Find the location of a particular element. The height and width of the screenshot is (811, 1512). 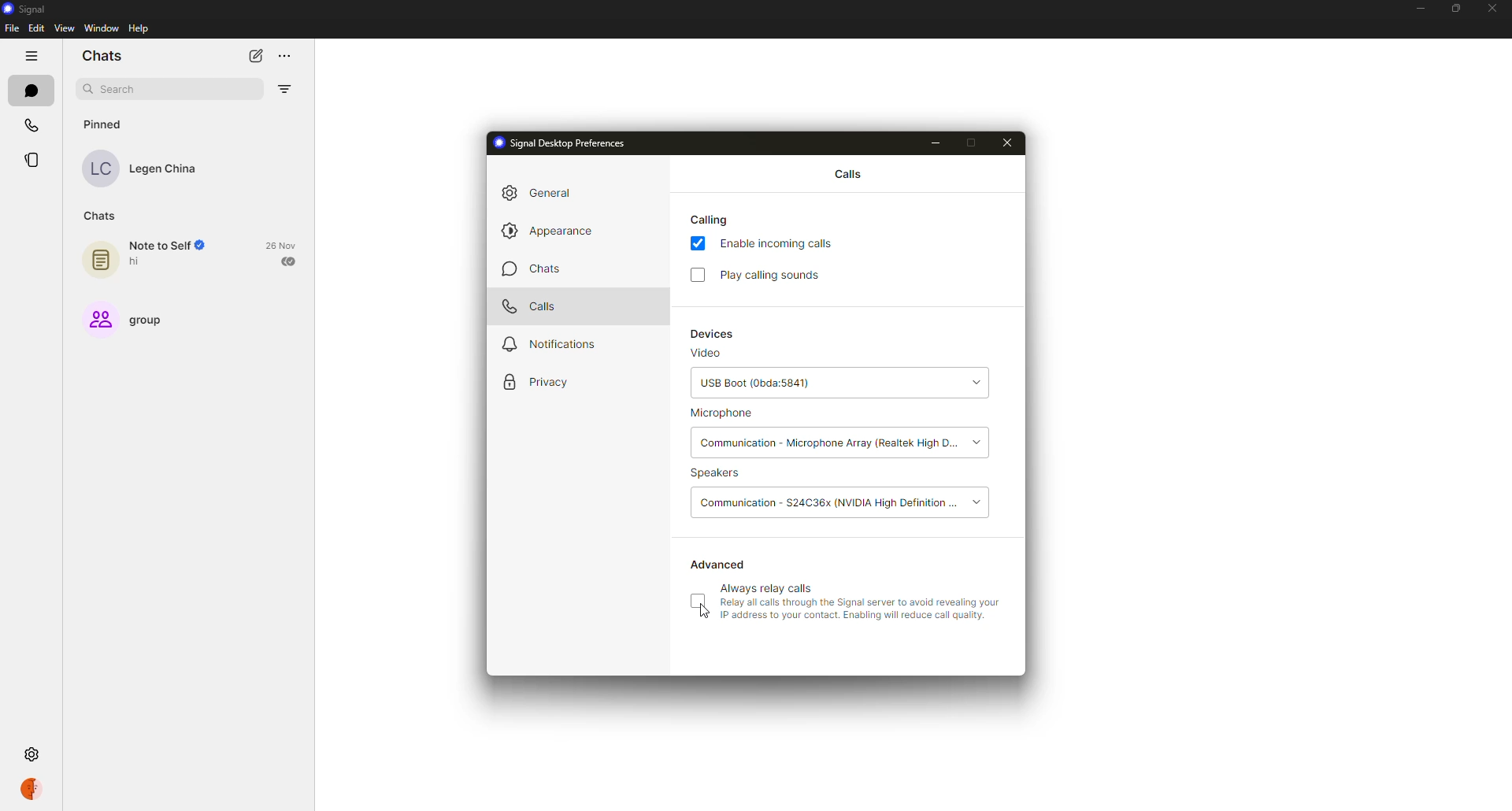

play calling sounds is located at coordinates (776, 275).